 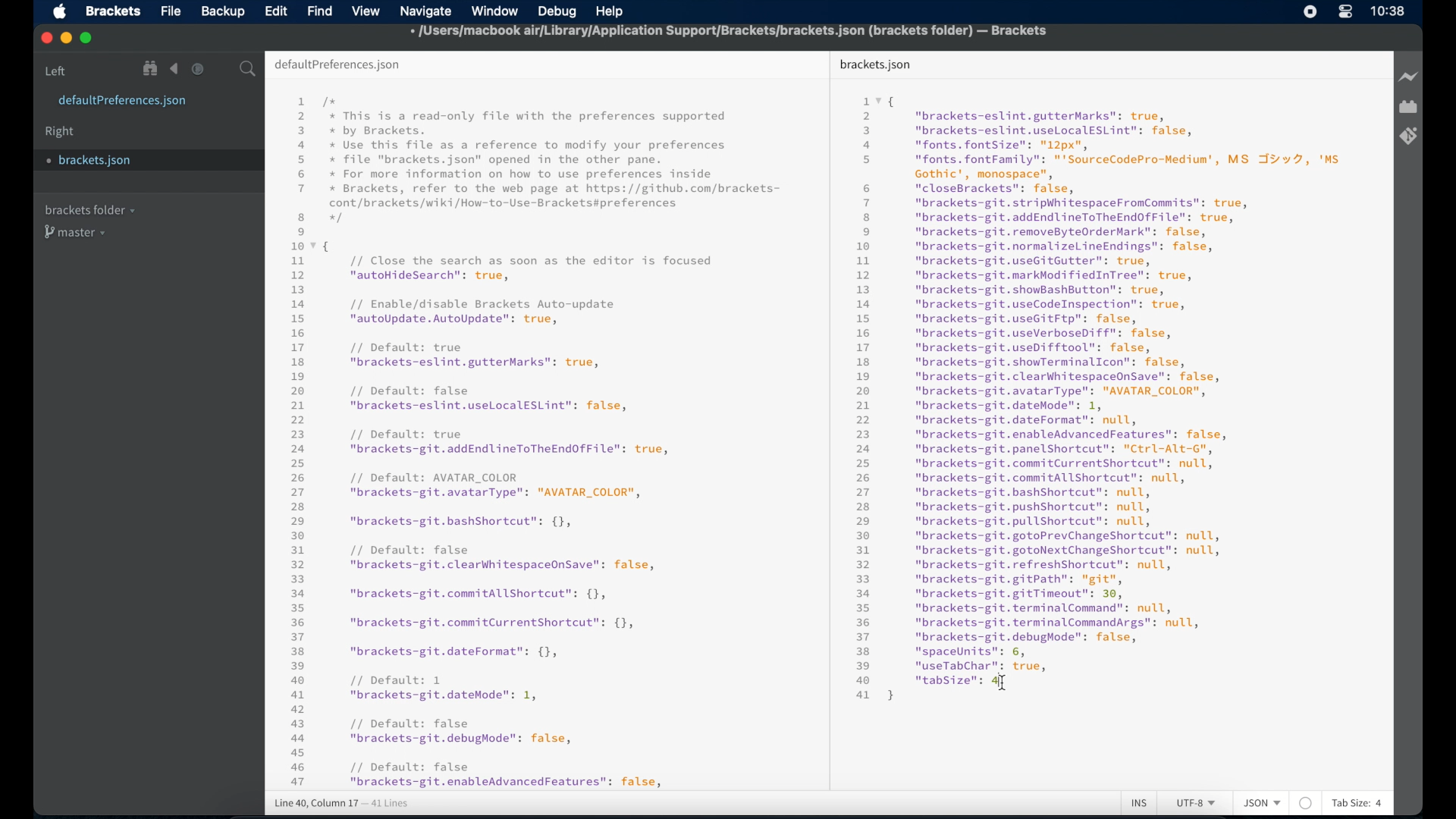 I want to click on I beam cursor, so click(x=1003, y=683).